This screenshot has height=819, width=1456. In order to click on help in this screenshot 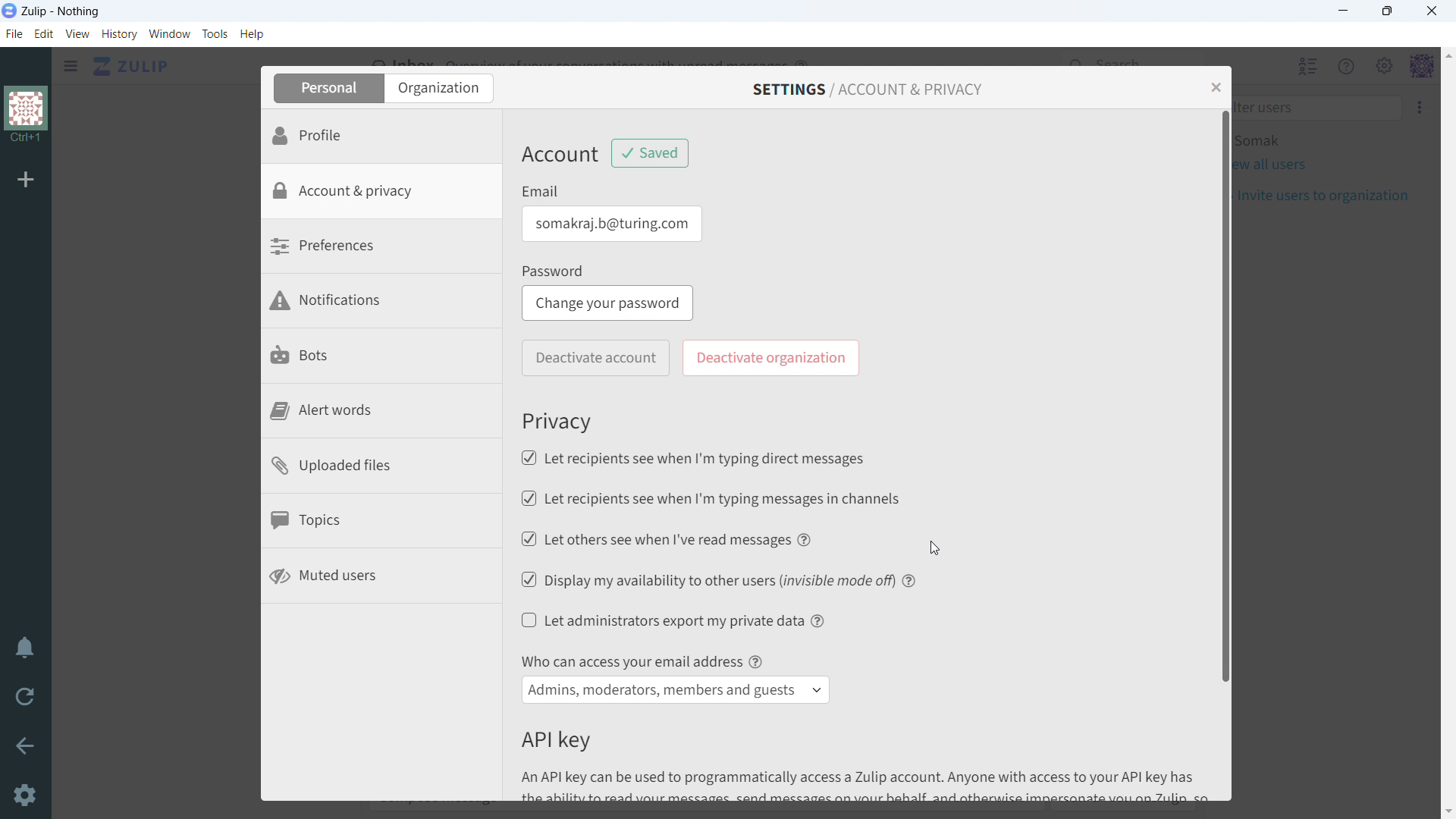, I will do `click(252, 33)`.